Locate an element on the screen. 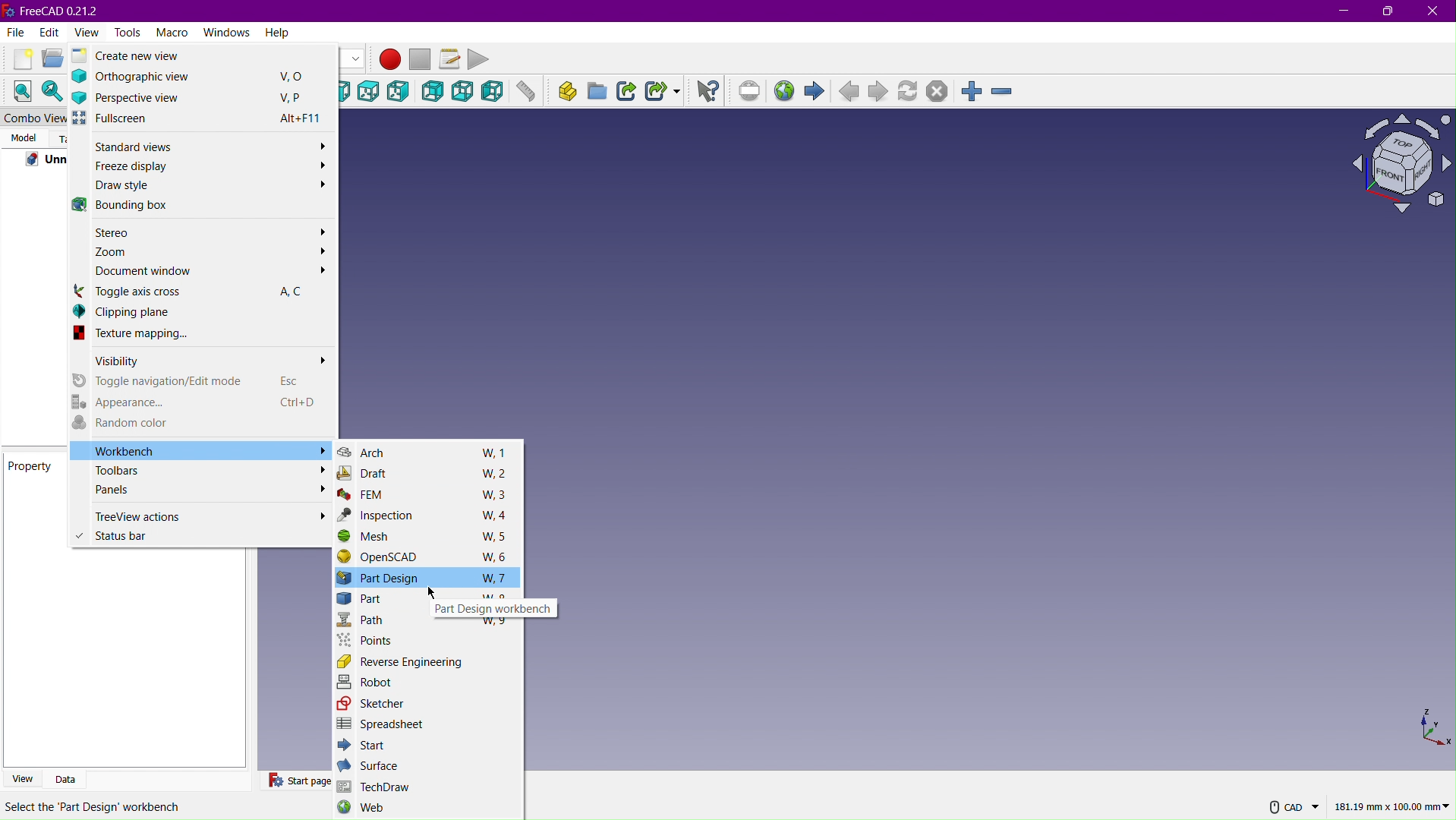 The image size is (1456, 820). Appearance is located at coordinates (203, 403).